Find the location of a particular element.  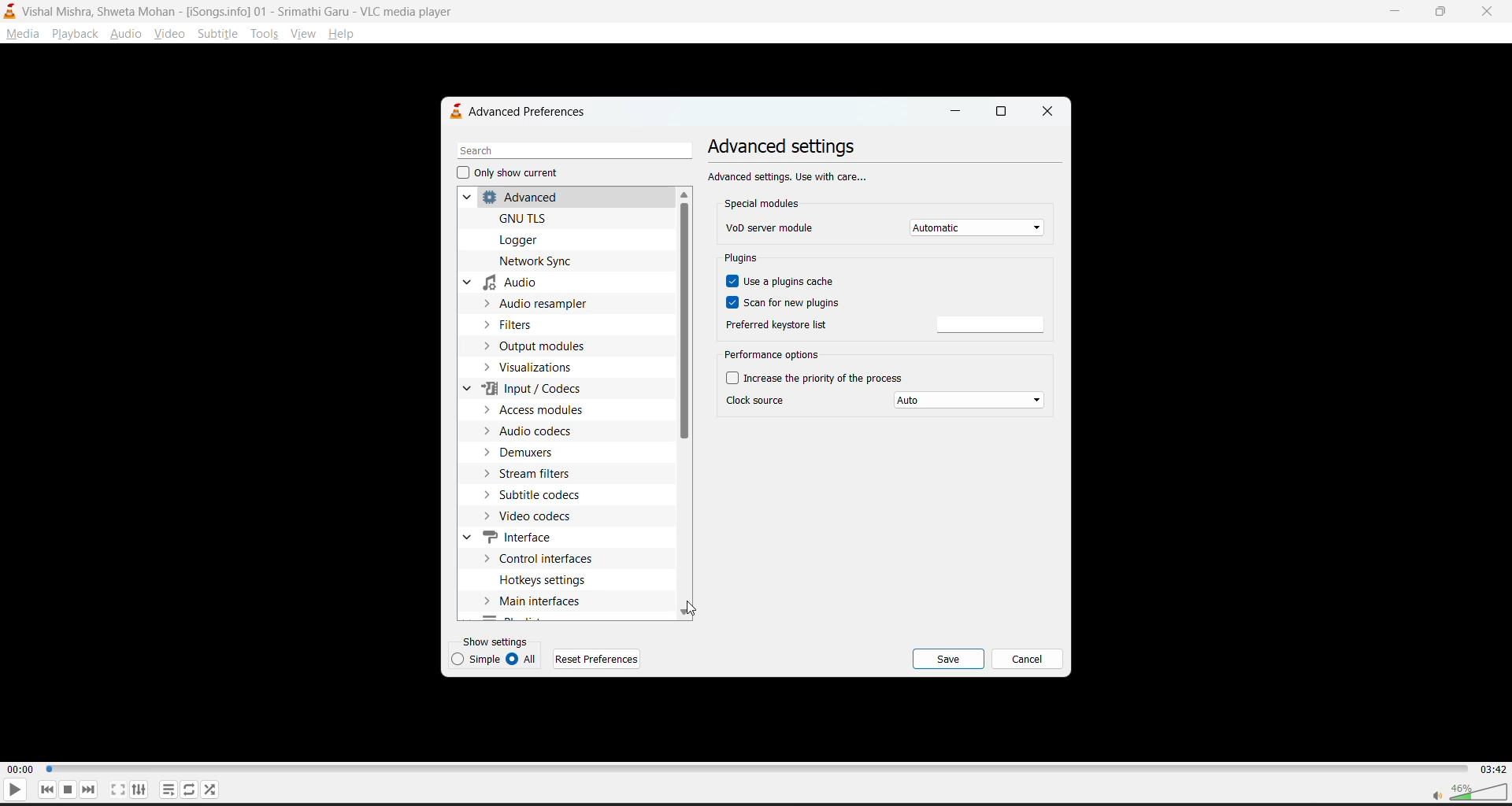

preferred keyword list is located at coordinates (775, 326).